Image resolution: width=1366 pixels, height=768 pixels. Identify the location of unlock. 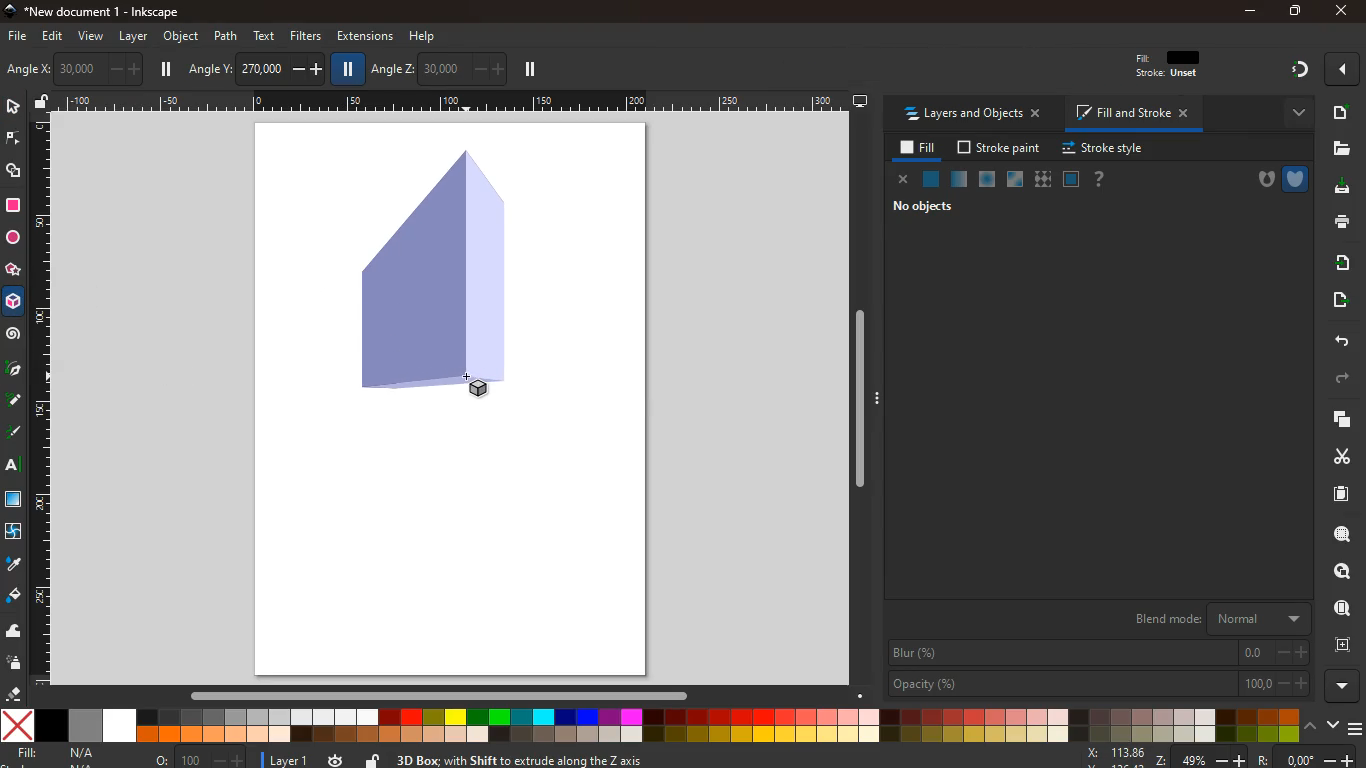
(42, 103).